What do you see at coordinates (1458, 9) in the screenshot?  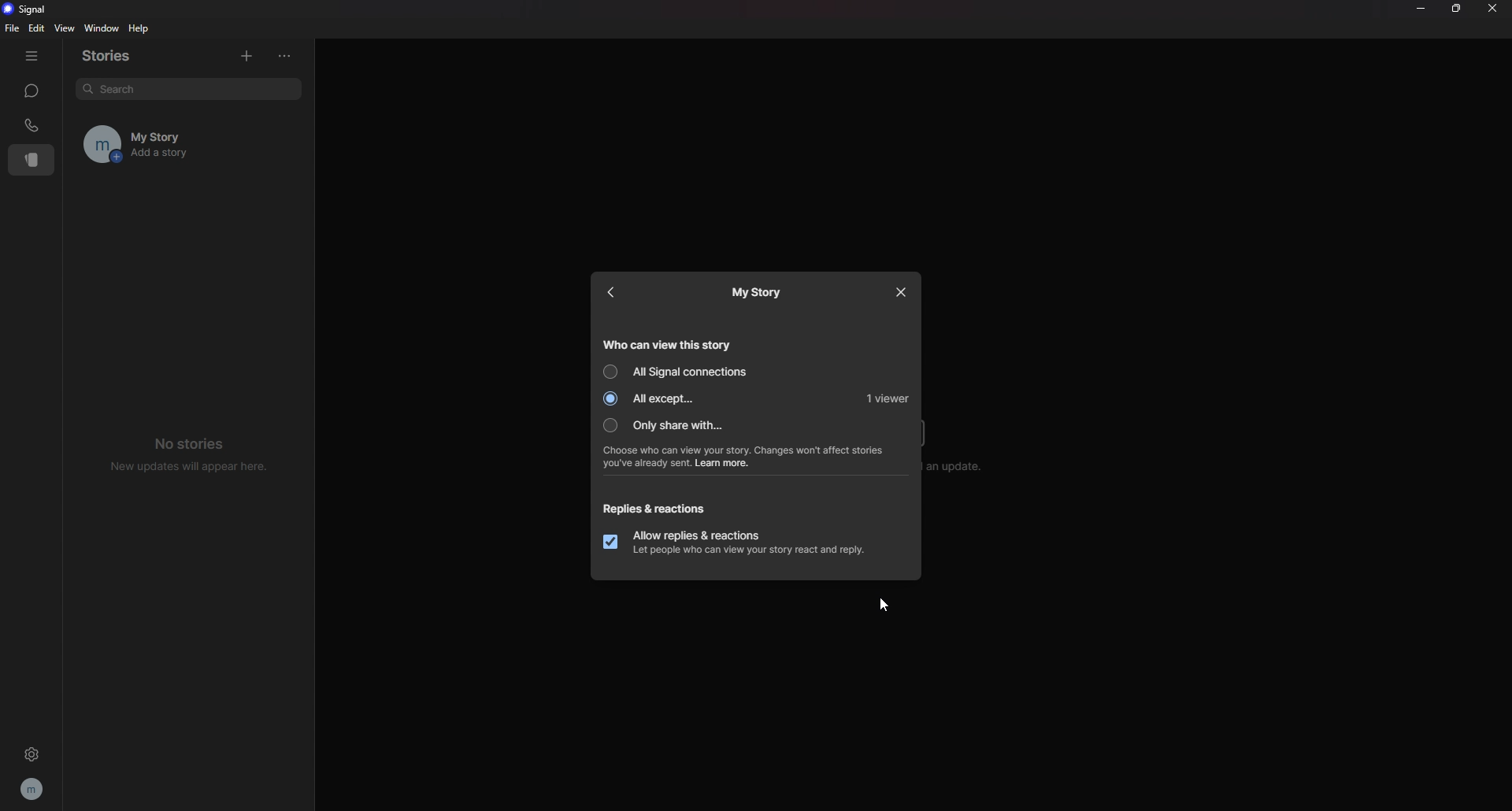 I see `resize` at bounding box center [1458, 9].